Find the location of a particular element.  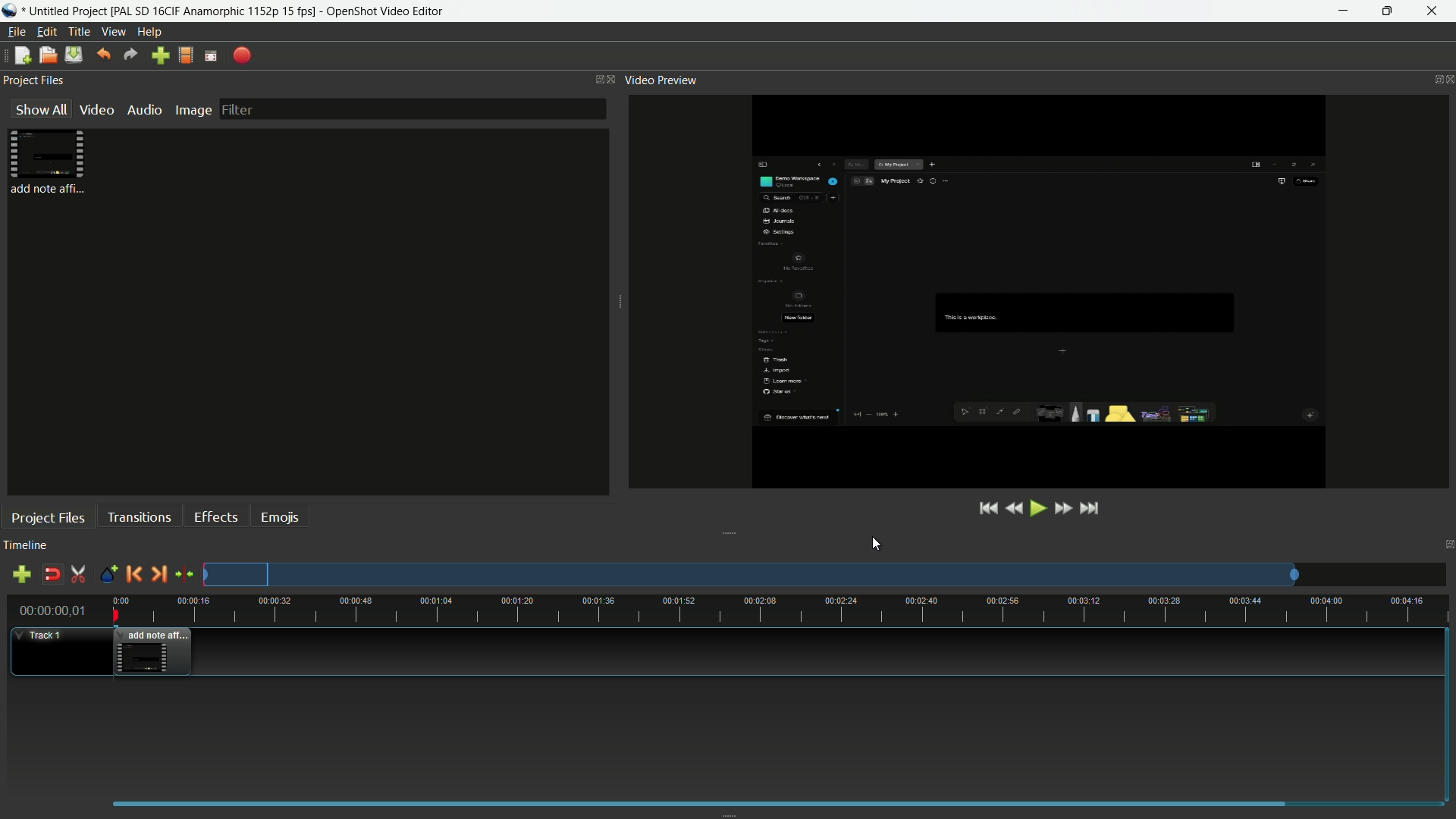

undo is located at coordinates (104, 55).